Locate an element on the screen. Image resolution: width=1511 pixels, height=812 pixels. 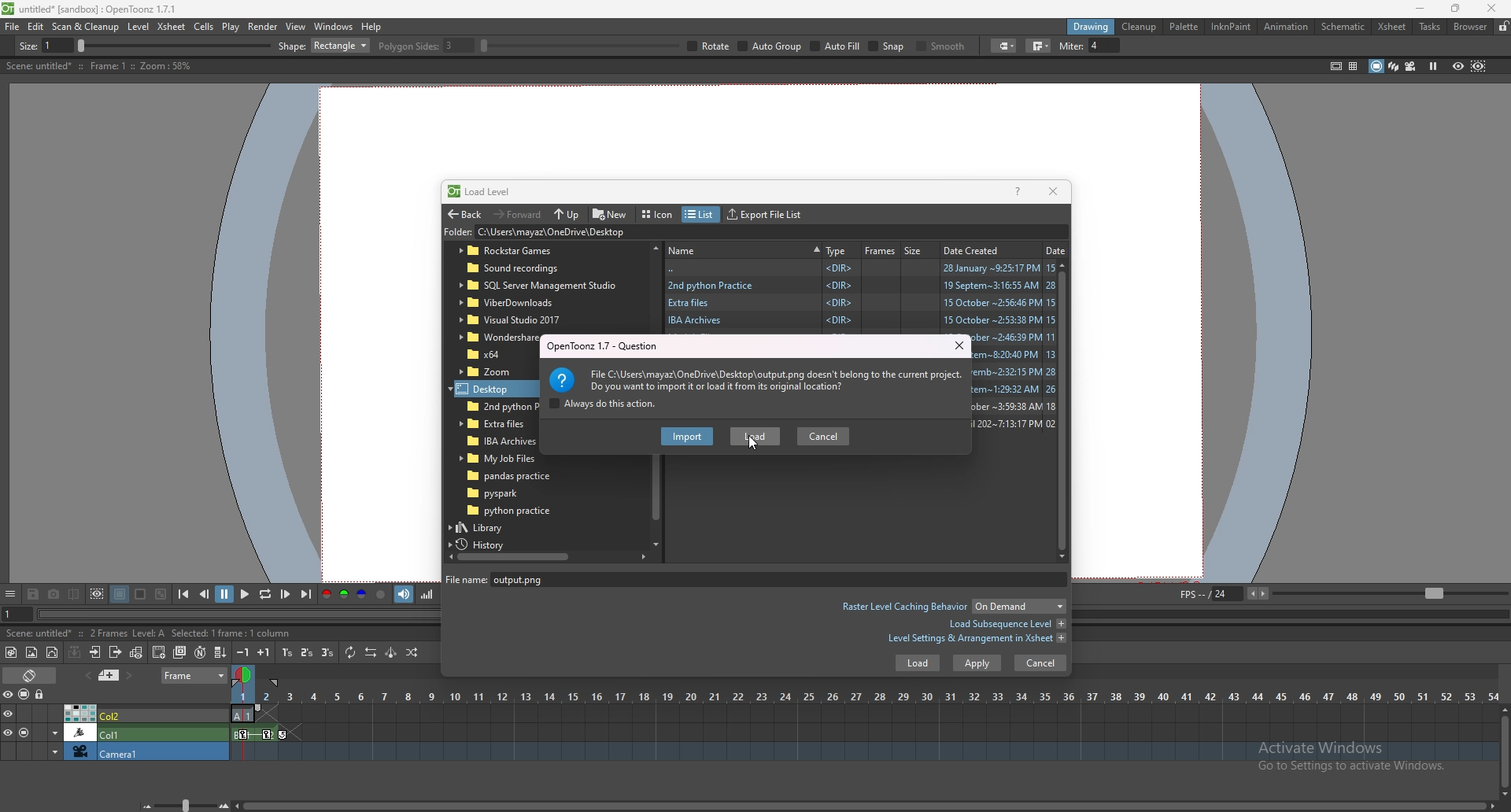
loop is located at coordinates (264, 595).